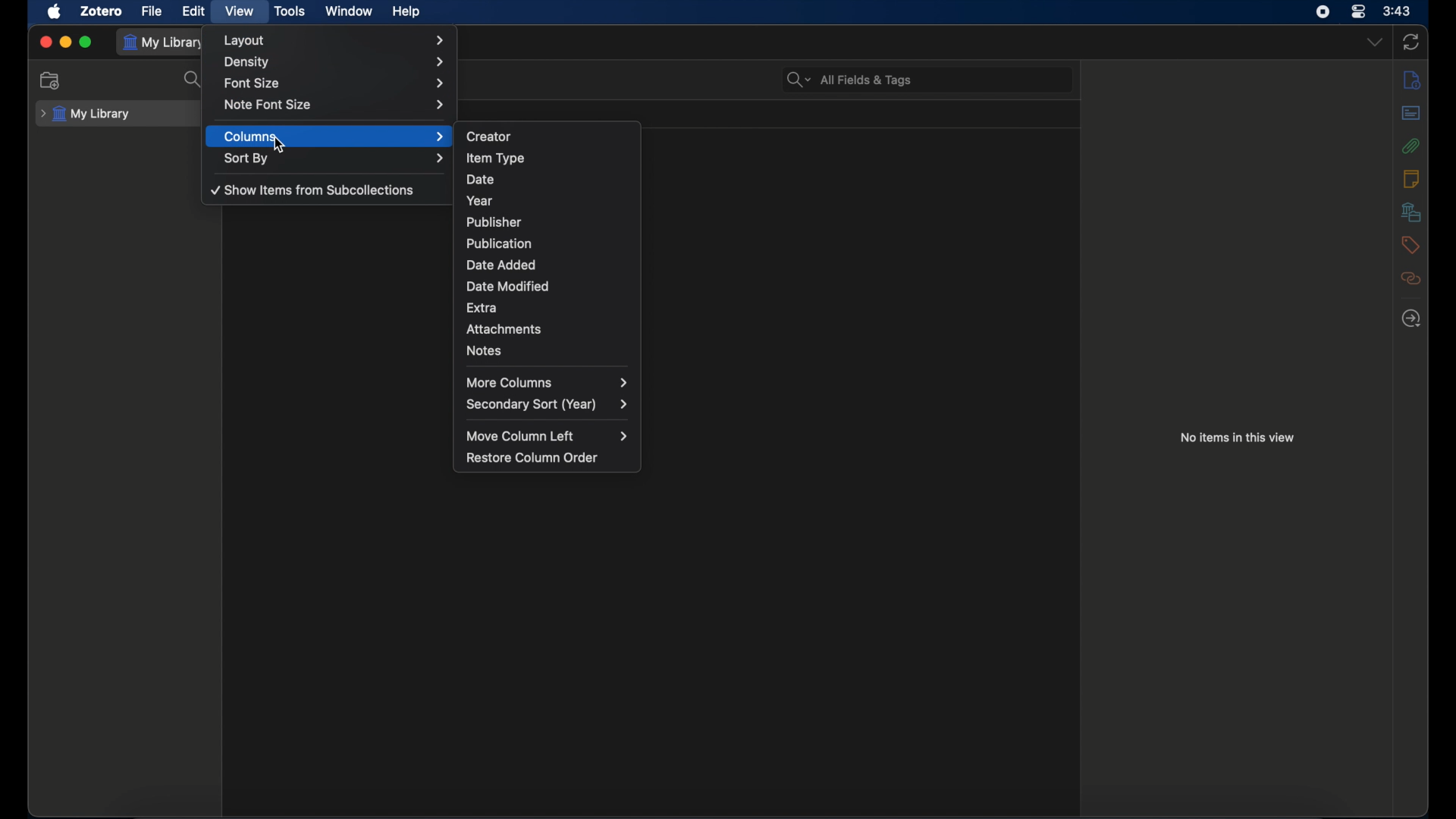 Image resolution: width=1456 pixels, height=819 pixels. Describe the element at coordinates (547, 178) in the screenshot. I see `date` at that location.